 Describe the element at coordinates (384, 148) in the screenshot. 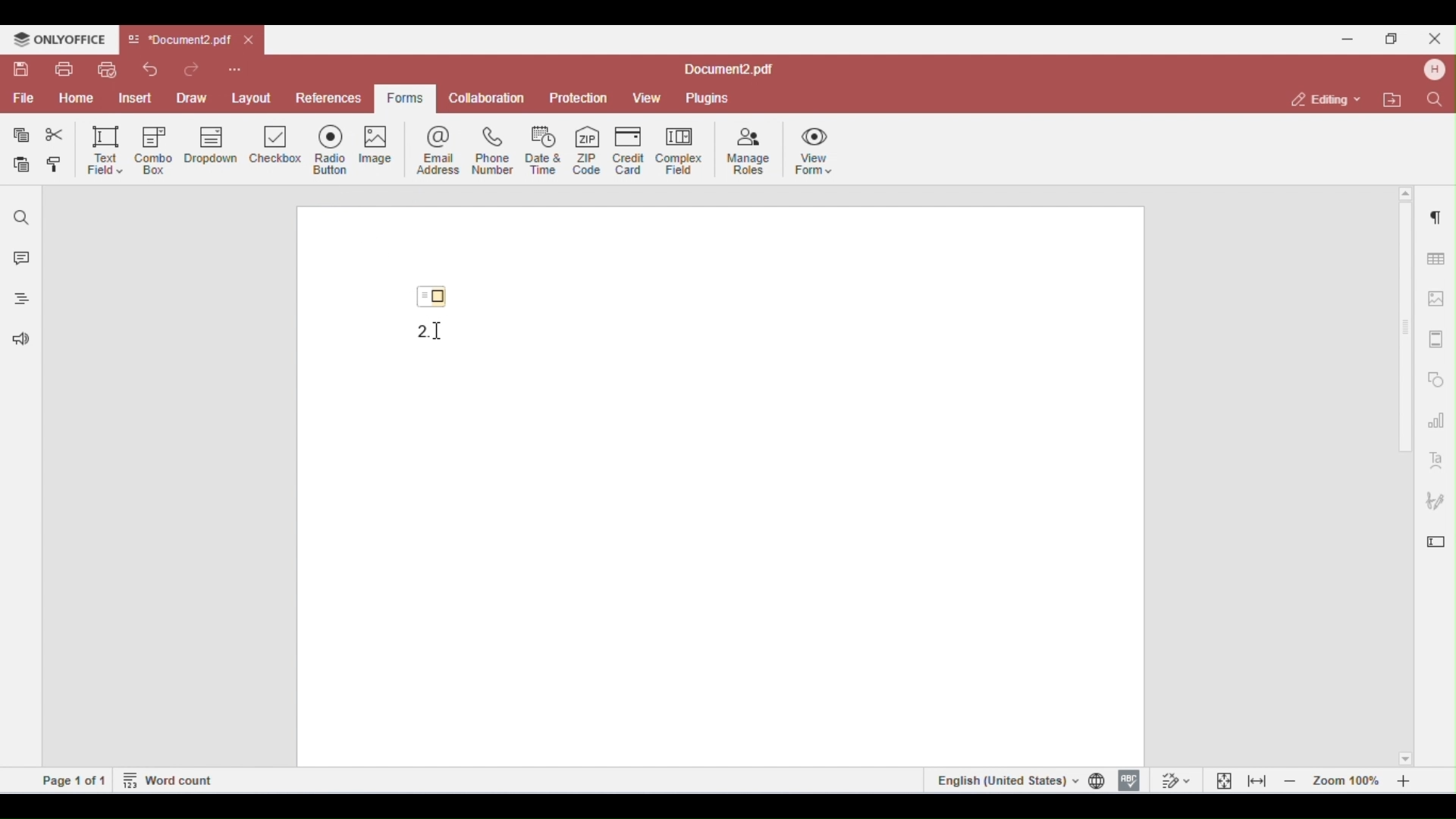

I see `image` at that location.